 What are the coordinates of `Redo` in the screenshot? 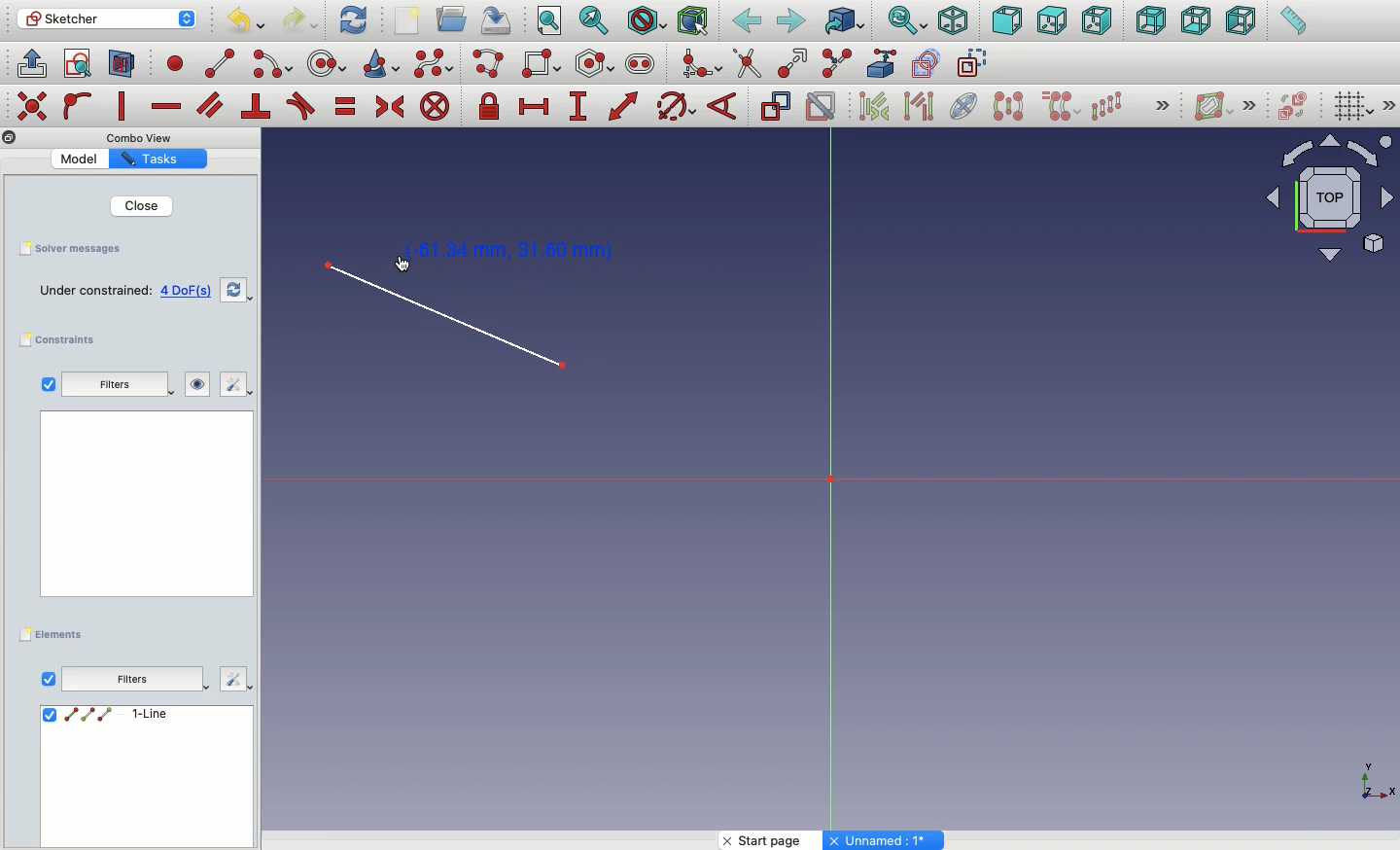 It's located at (301, 20).